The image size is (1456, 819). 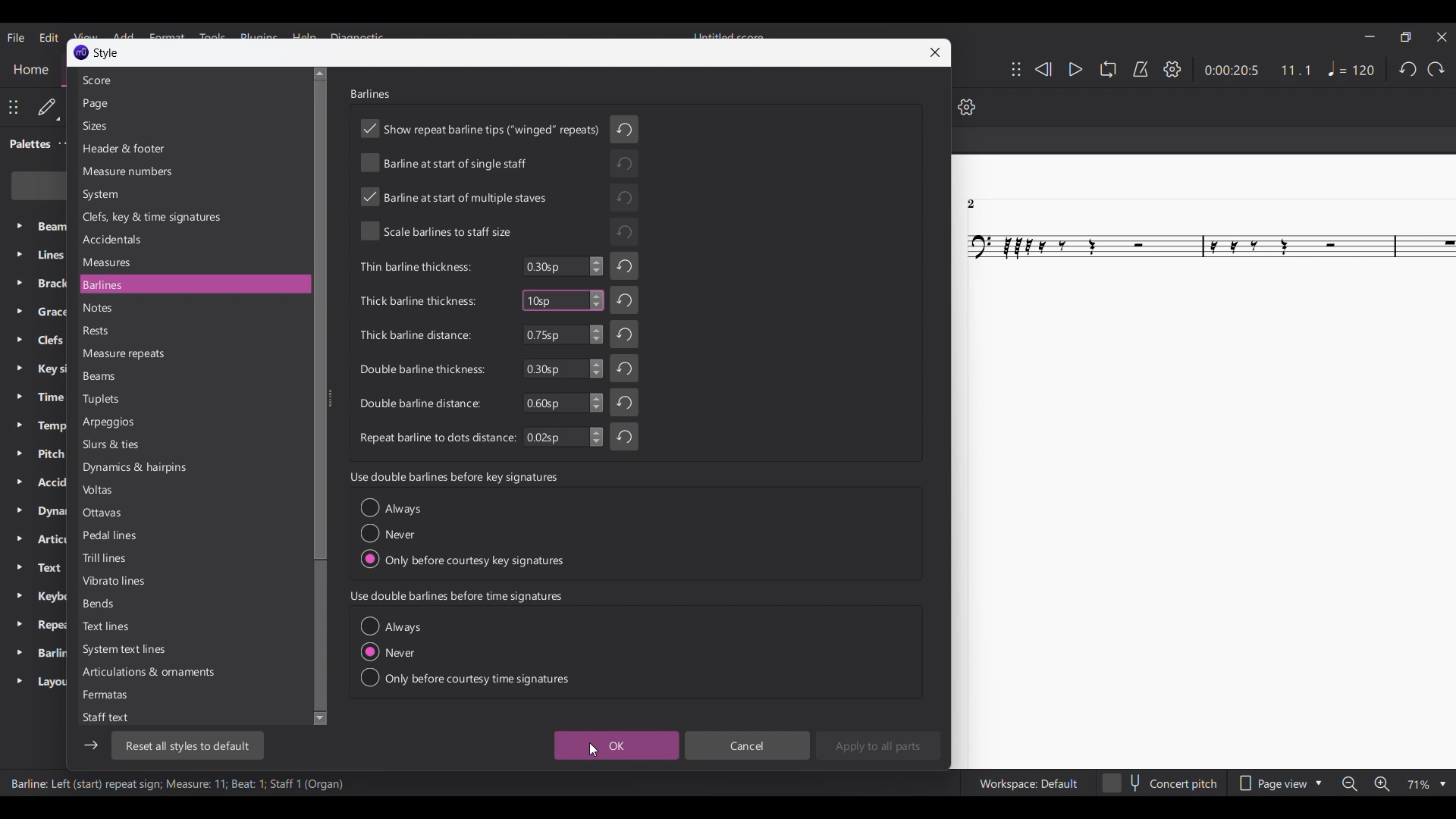 I want to click on Vertical slide bar, so click(x=318, y=396).